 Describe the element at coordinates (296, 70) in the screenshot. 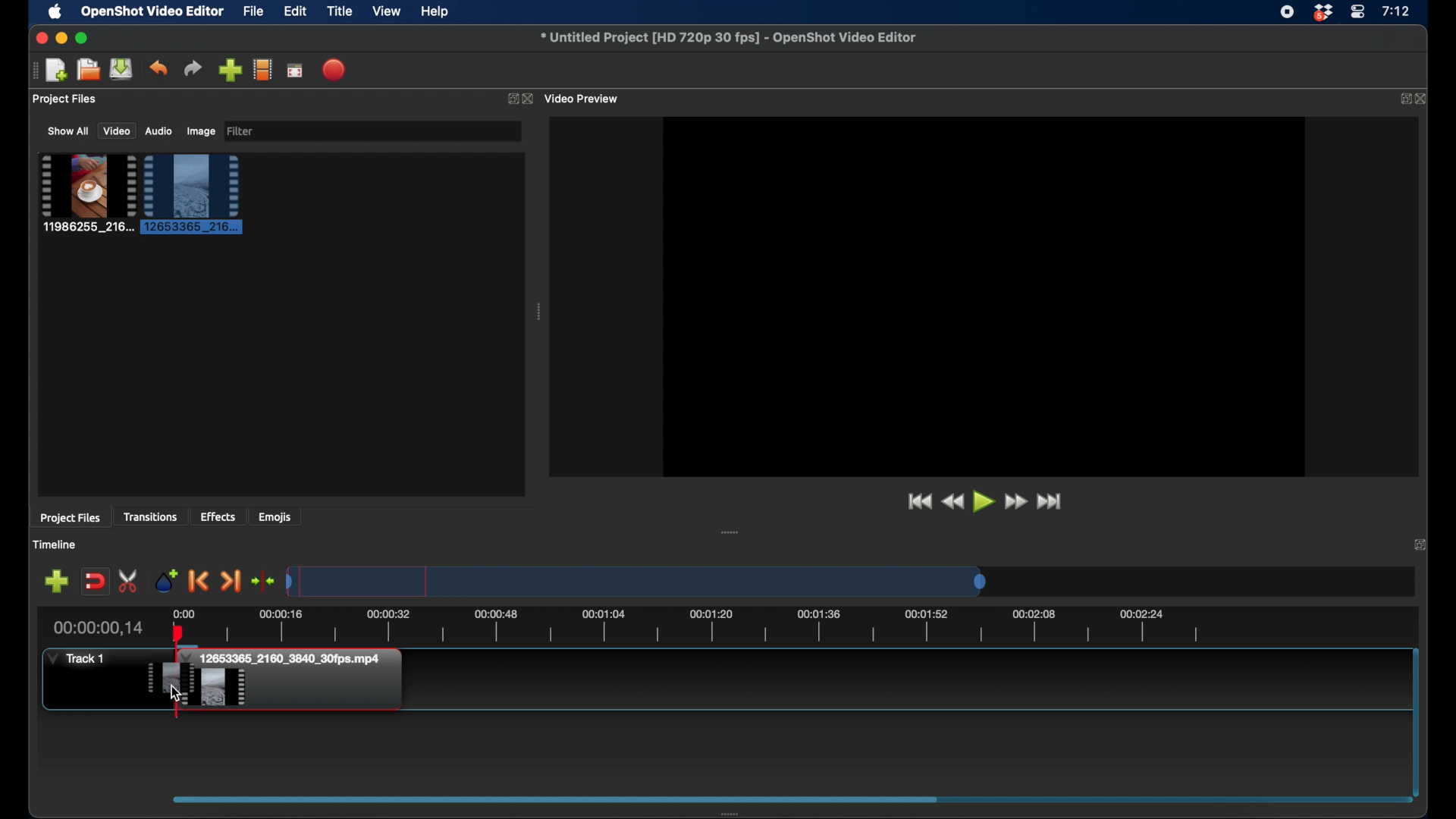

I see `fullscreen` at that location.